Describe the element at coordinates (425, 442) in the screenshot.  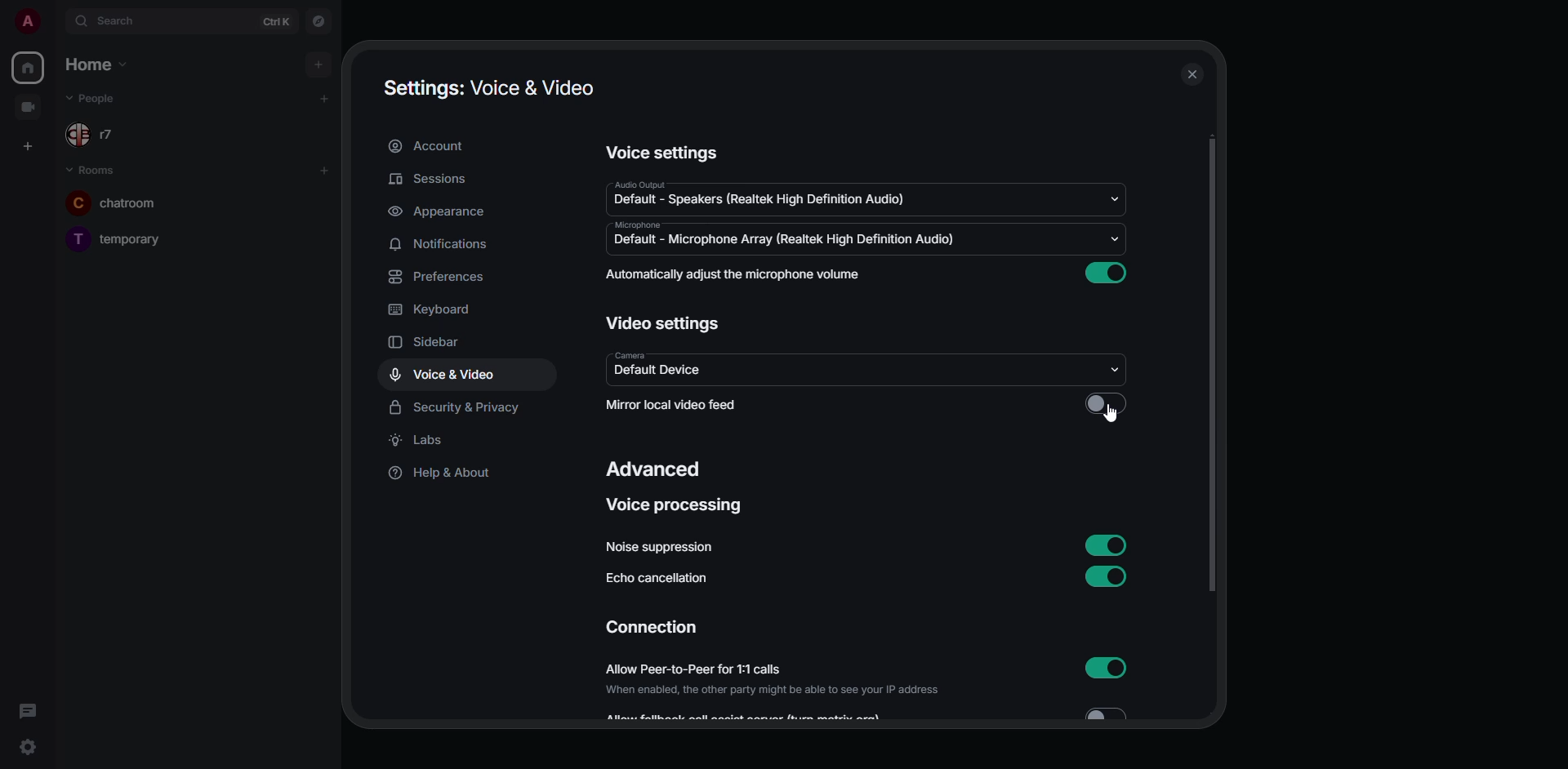
I see `labs` at that location.